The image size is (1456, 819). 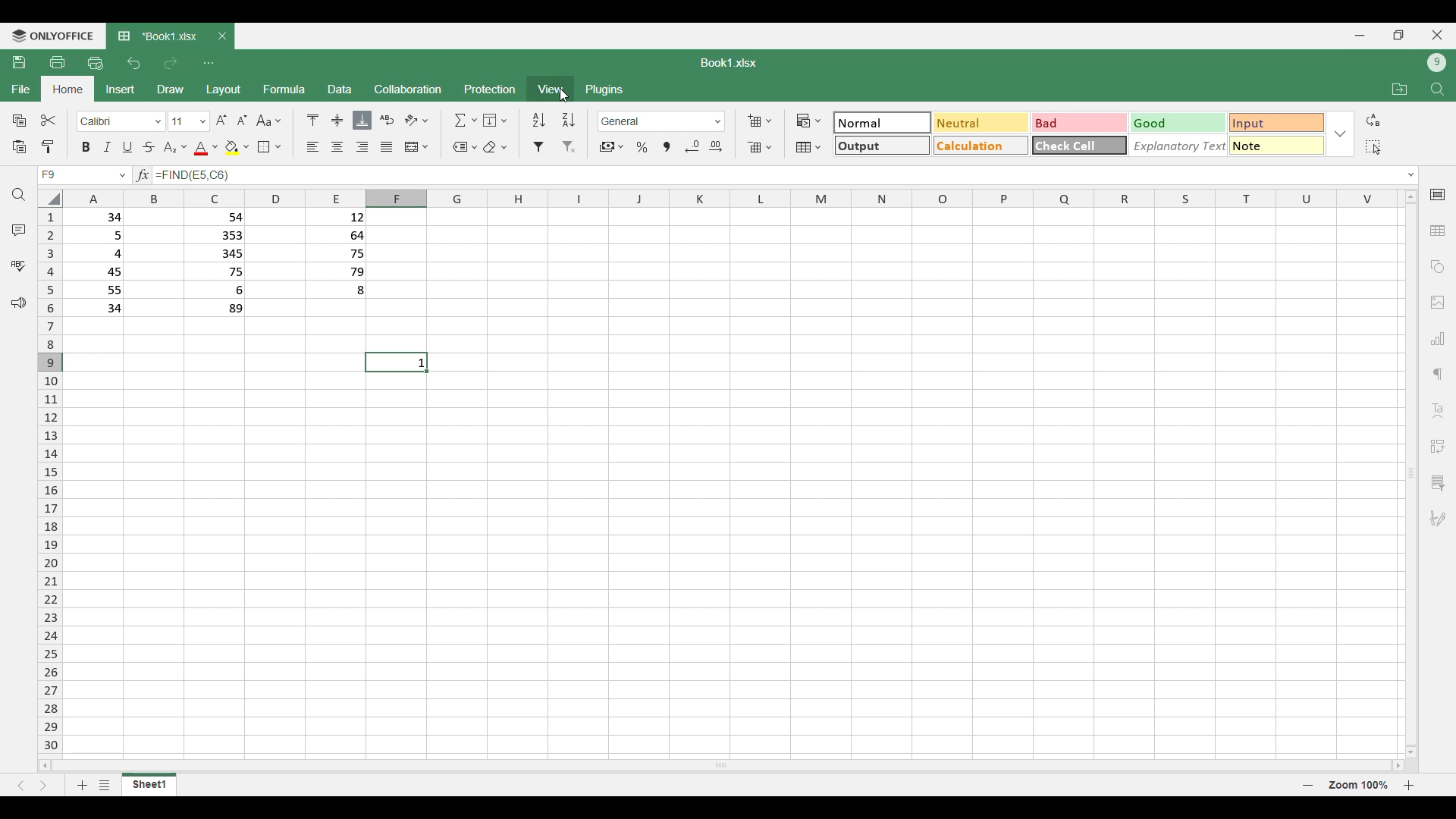 I want to click on Open file location, so click(x=1401, y=89).